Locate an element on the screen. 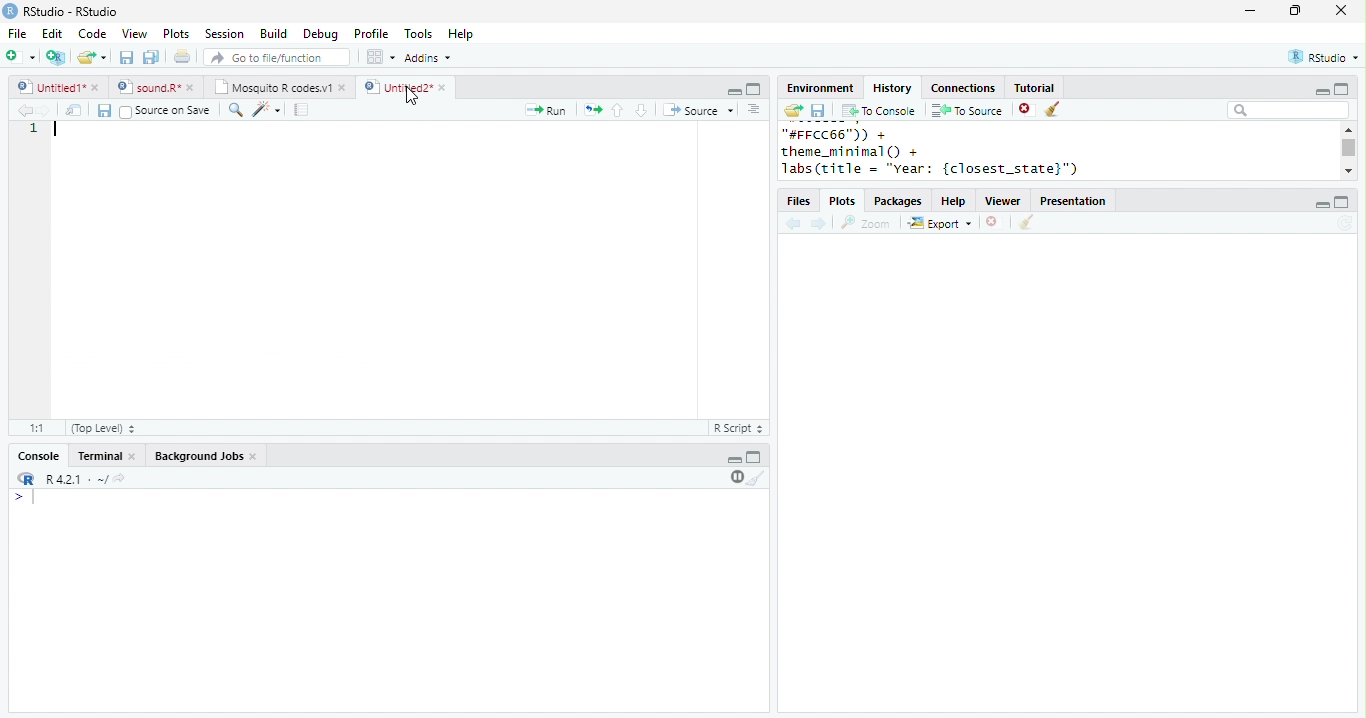 This screenshot has width=1366, height=718. minimize is located at coordinates (1321, 205).